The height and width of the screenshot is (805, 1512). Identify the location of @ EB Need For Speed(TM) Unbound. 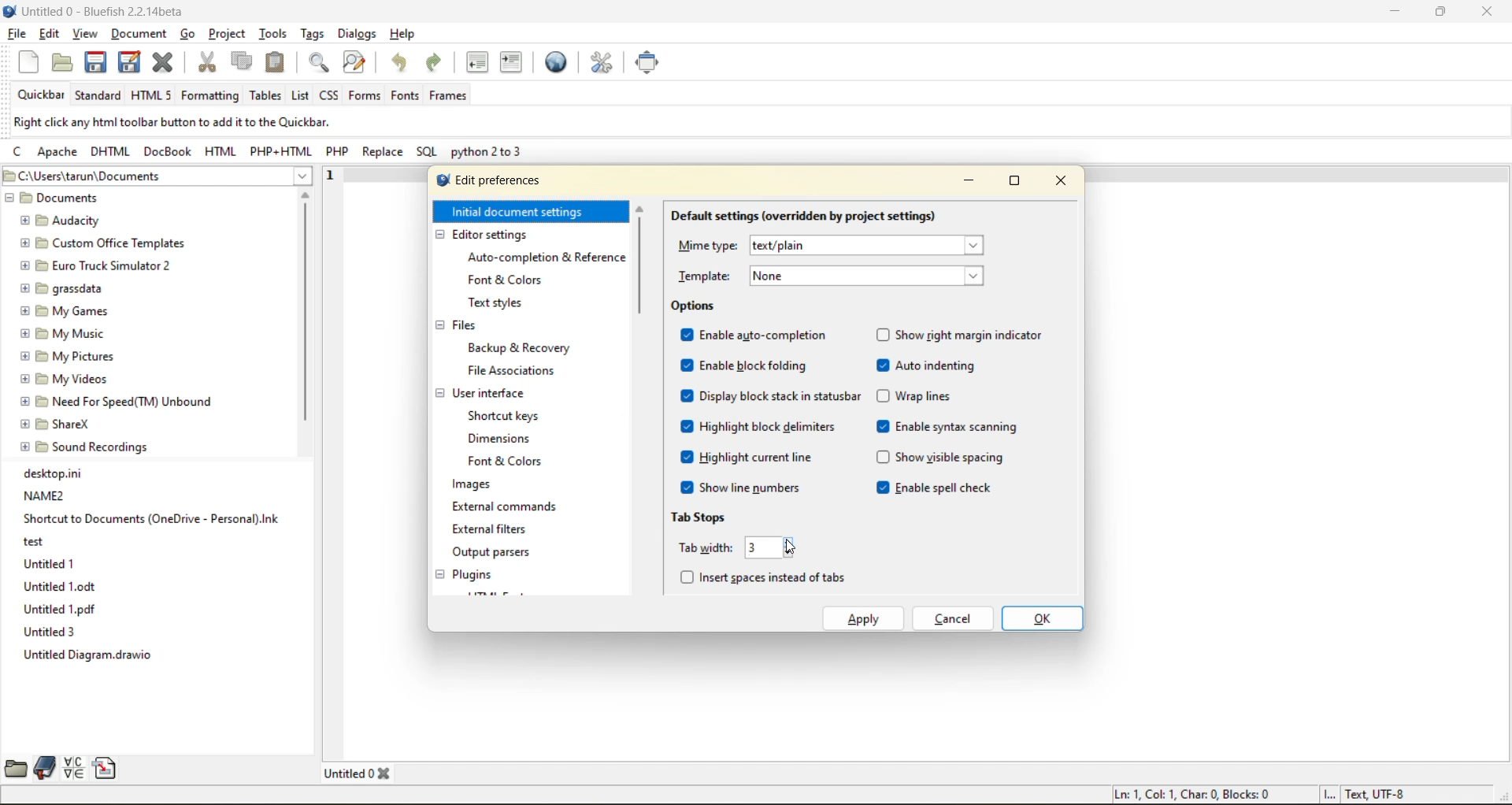
(119, 399).